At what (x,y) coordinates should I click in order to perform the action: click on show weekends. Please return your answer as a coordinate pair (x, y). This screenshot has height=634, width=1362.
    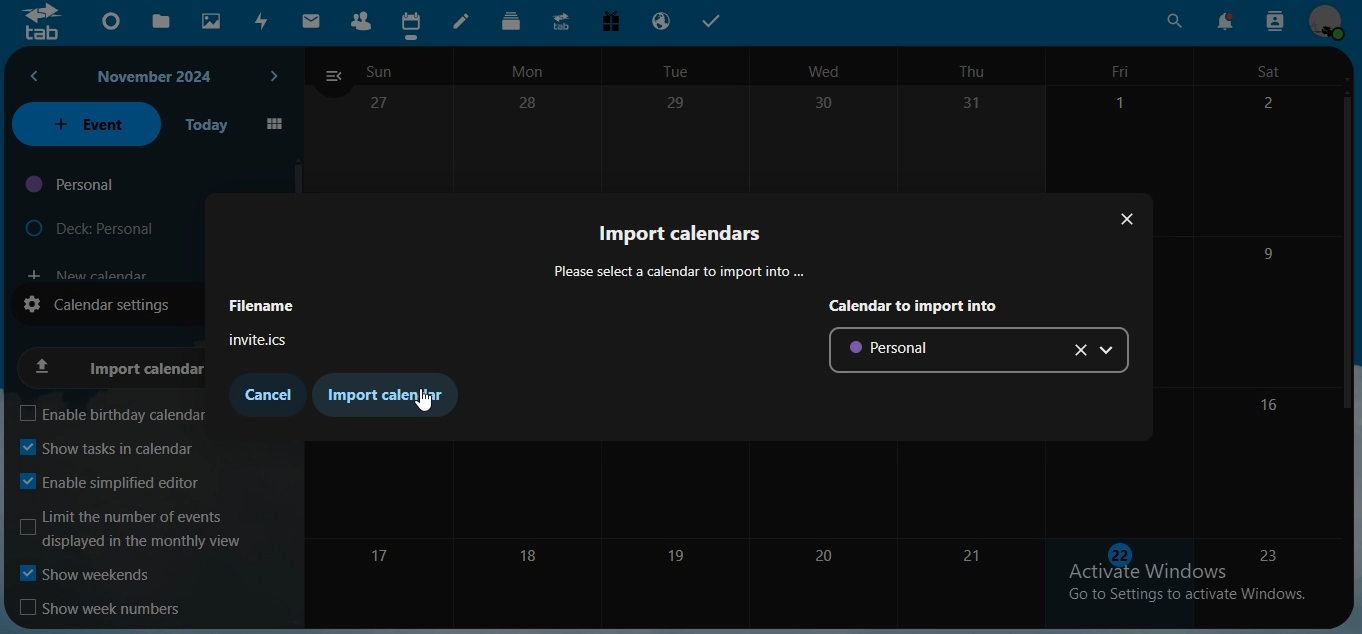
    Looking at the image, I should click on (88, 577).